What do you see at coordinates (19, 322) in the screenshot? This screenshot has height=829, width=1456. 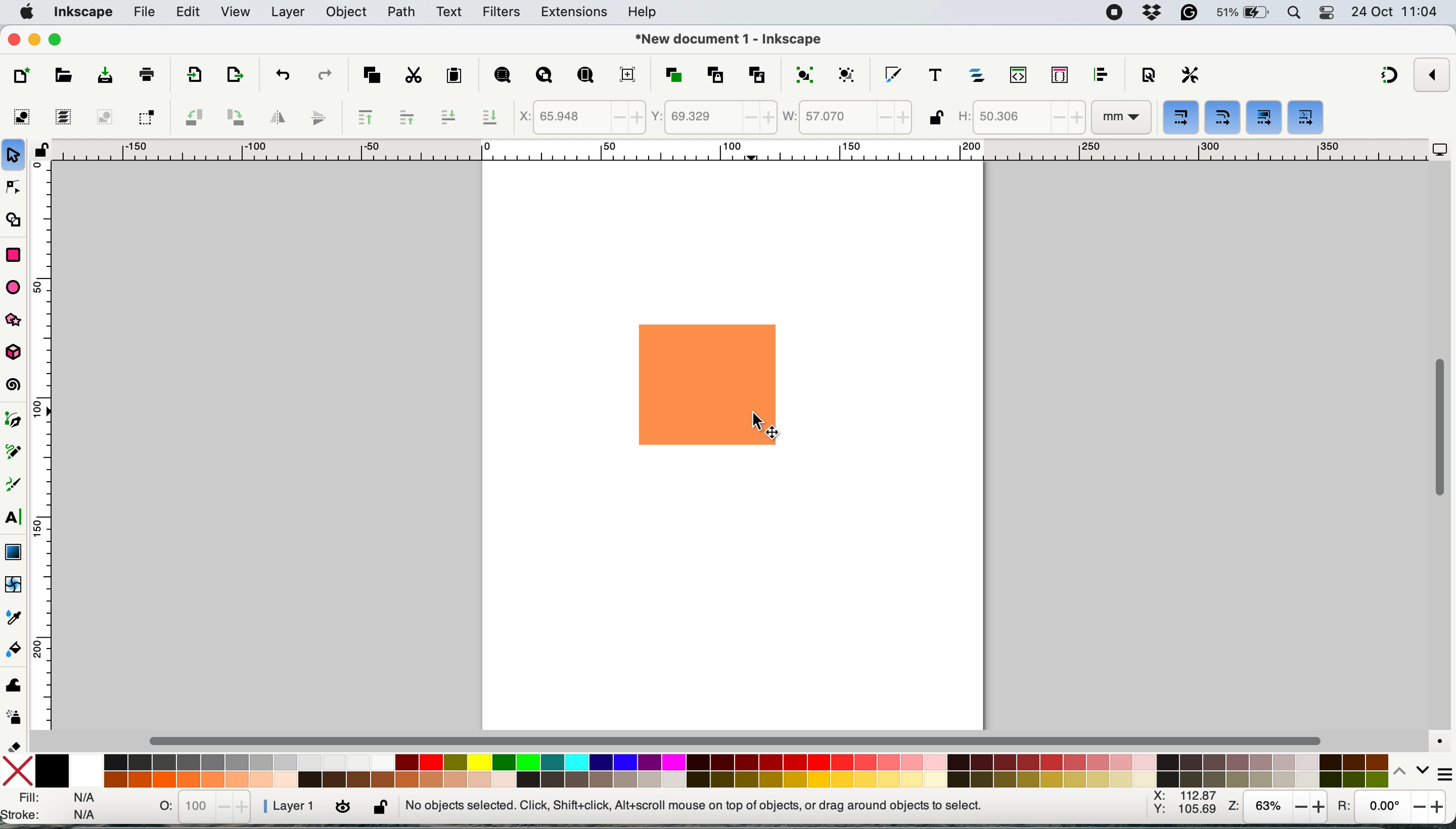 I see `star and polygon tool` at bounding box center [19, 322].